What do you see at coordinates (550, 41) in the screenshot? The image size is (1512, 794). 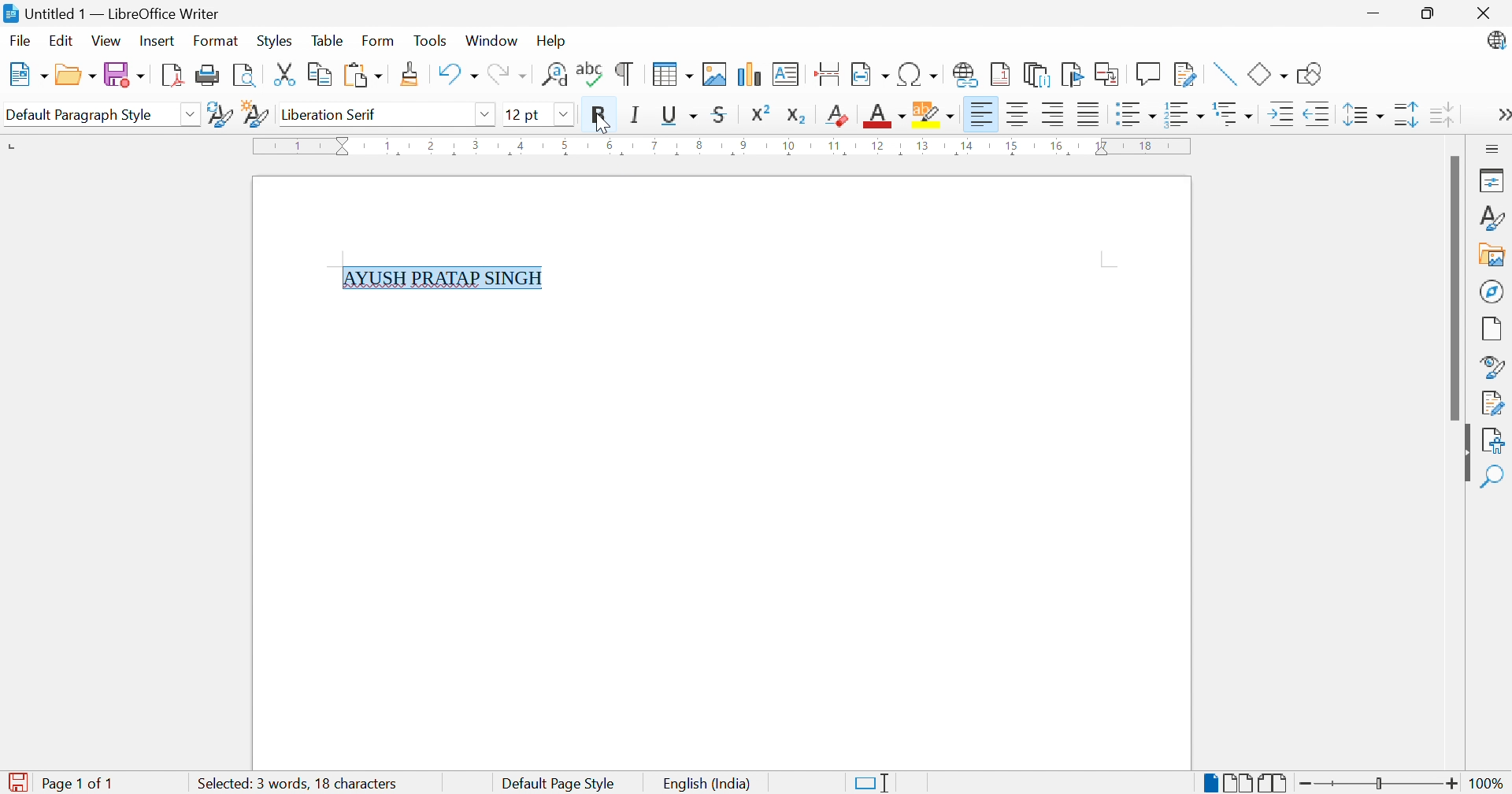 I see `Help` at bounding box center [550, 41].